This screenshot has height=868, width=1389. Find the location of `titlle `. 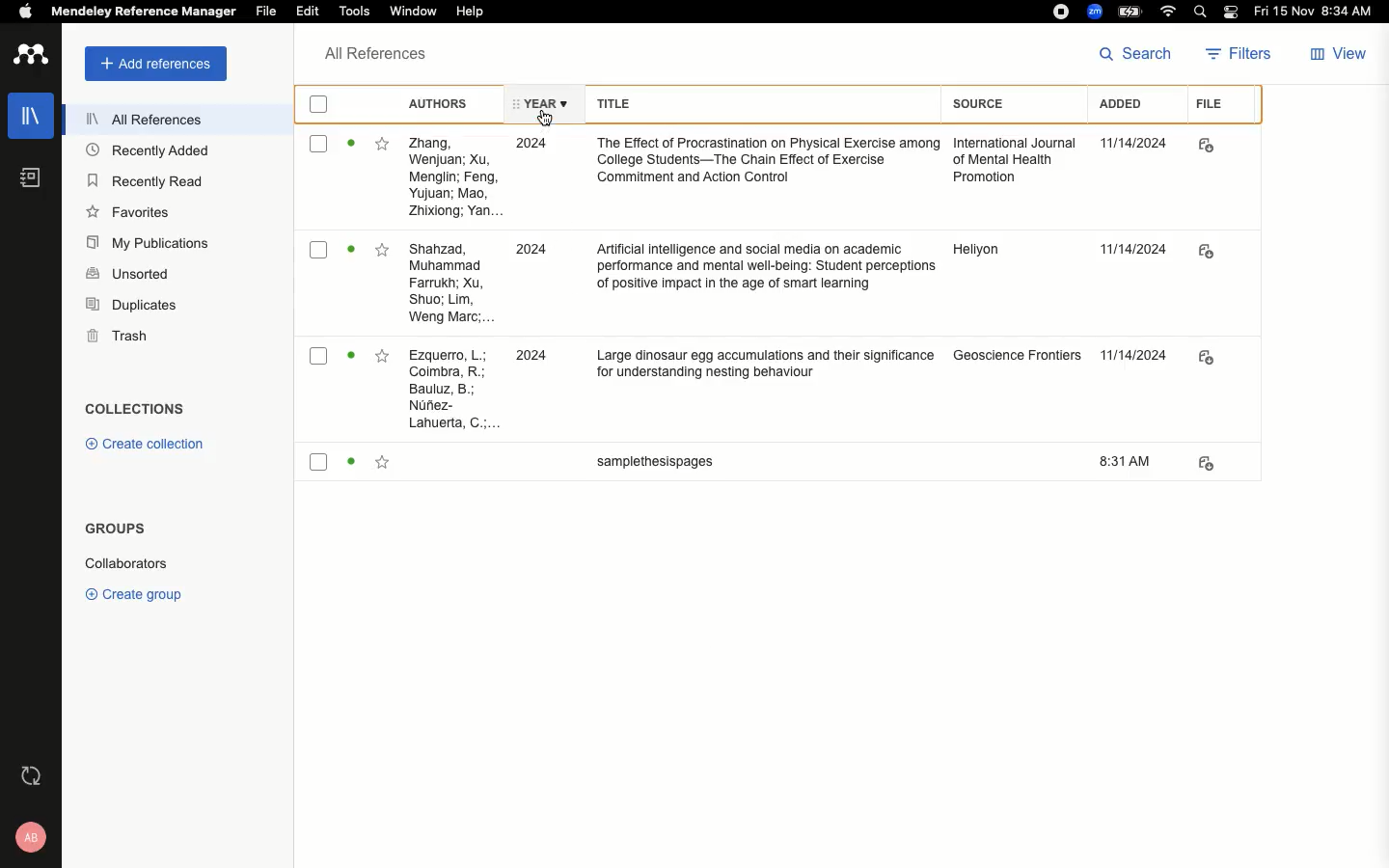

titlle  is located at coordinates (753, 367).